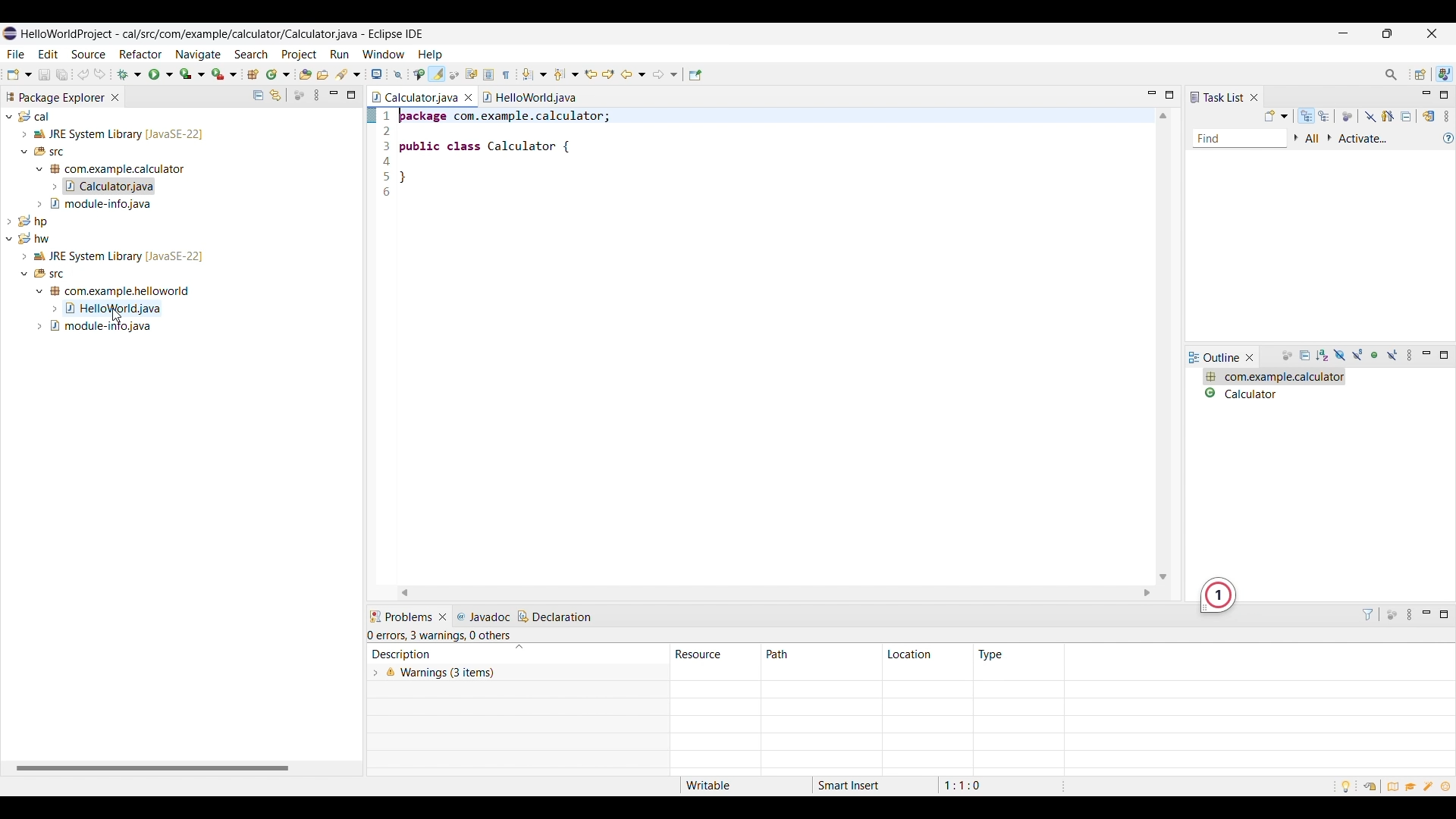 This screenshot has height=819, width=1456. Describe the element at coordinates (1393, 786) in the screenshot. I see `Overview ` at that location.